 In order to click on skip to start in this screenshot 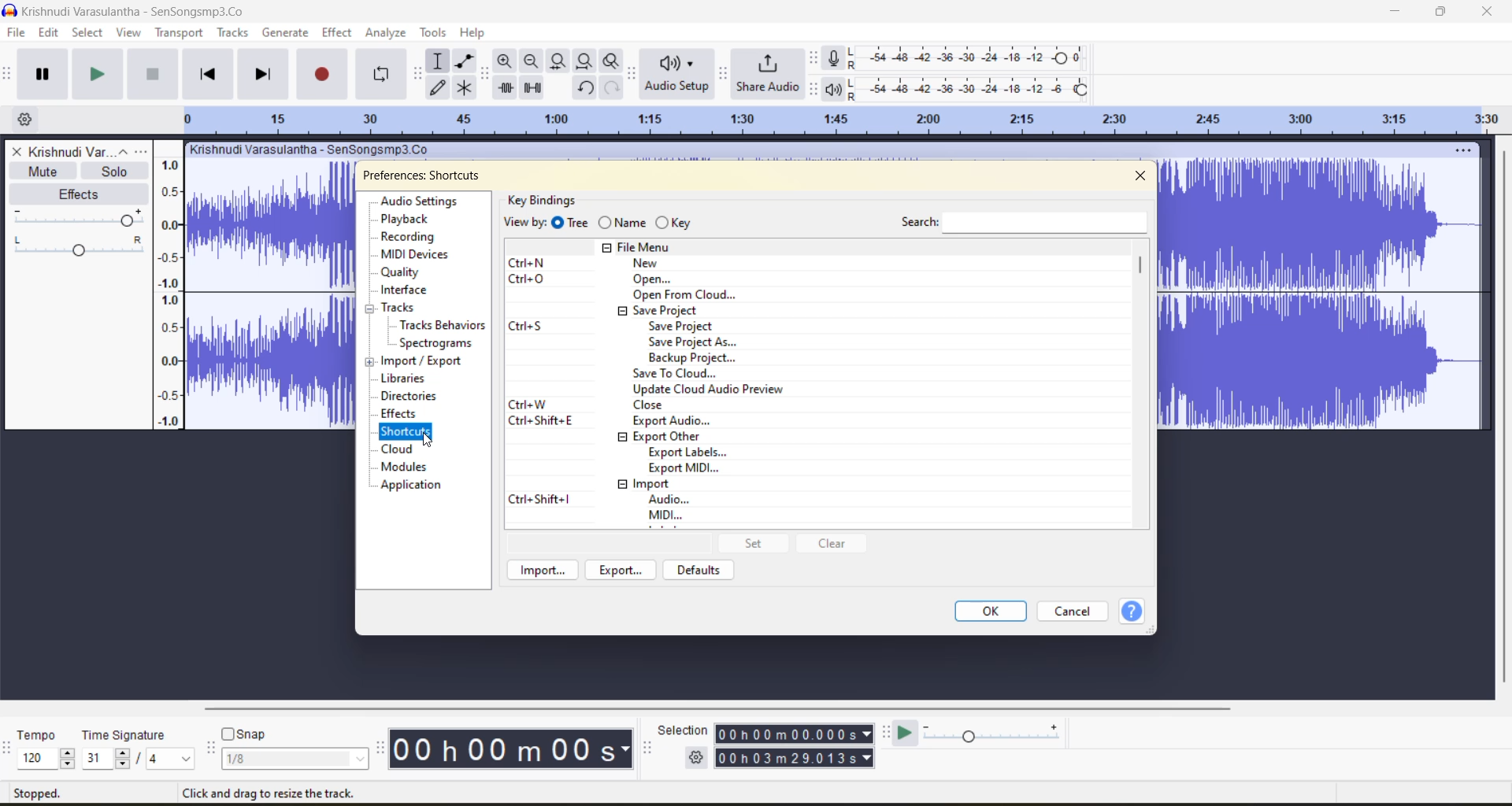, I will do `click(206, 73)`.